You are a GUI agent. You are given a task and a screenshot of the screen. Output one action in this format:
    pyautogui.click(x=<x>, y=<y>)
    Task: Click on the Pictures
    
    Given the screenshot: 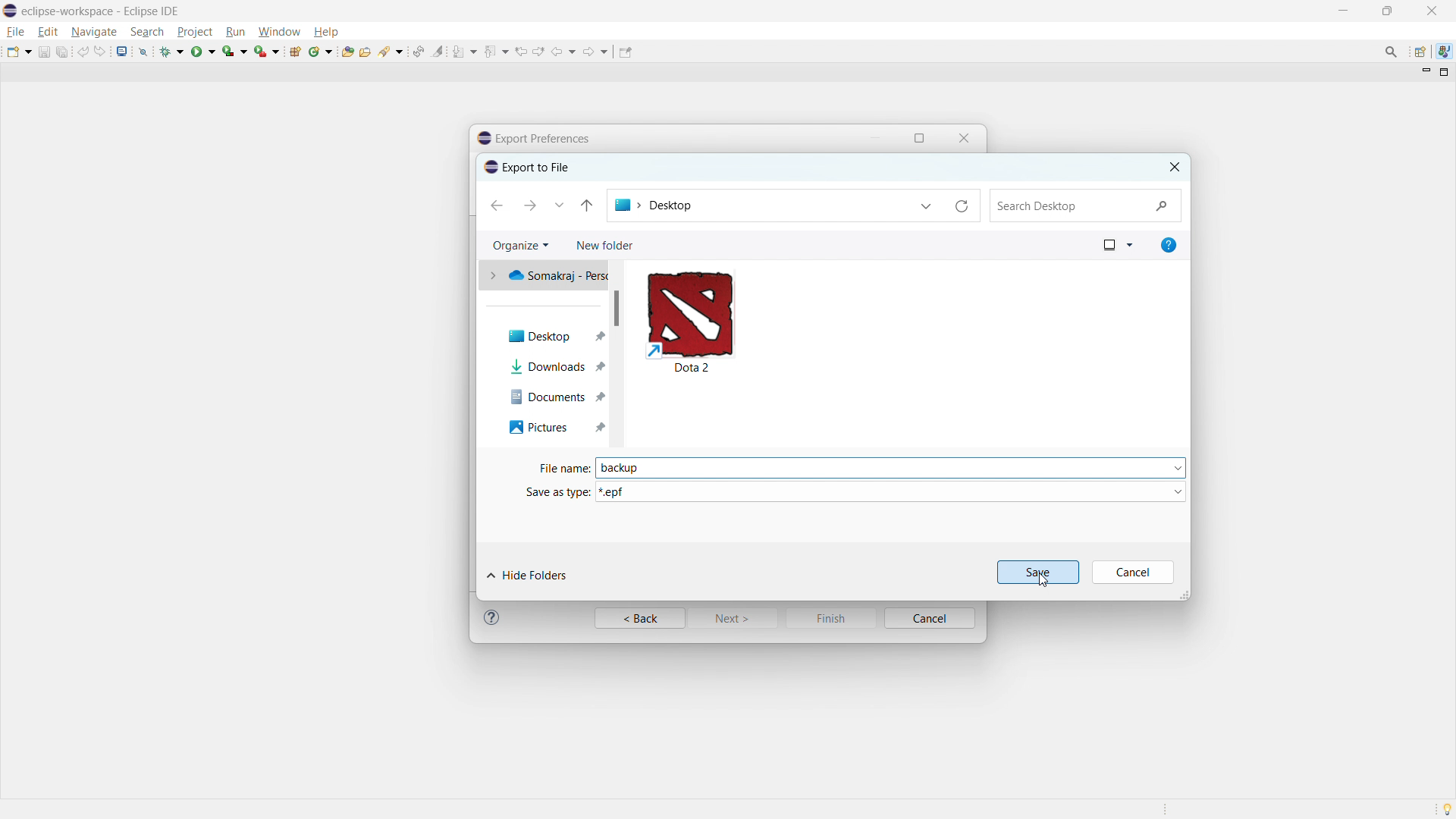 What is the action you would take?
    pyautogui.click(x=550, y=428)
    